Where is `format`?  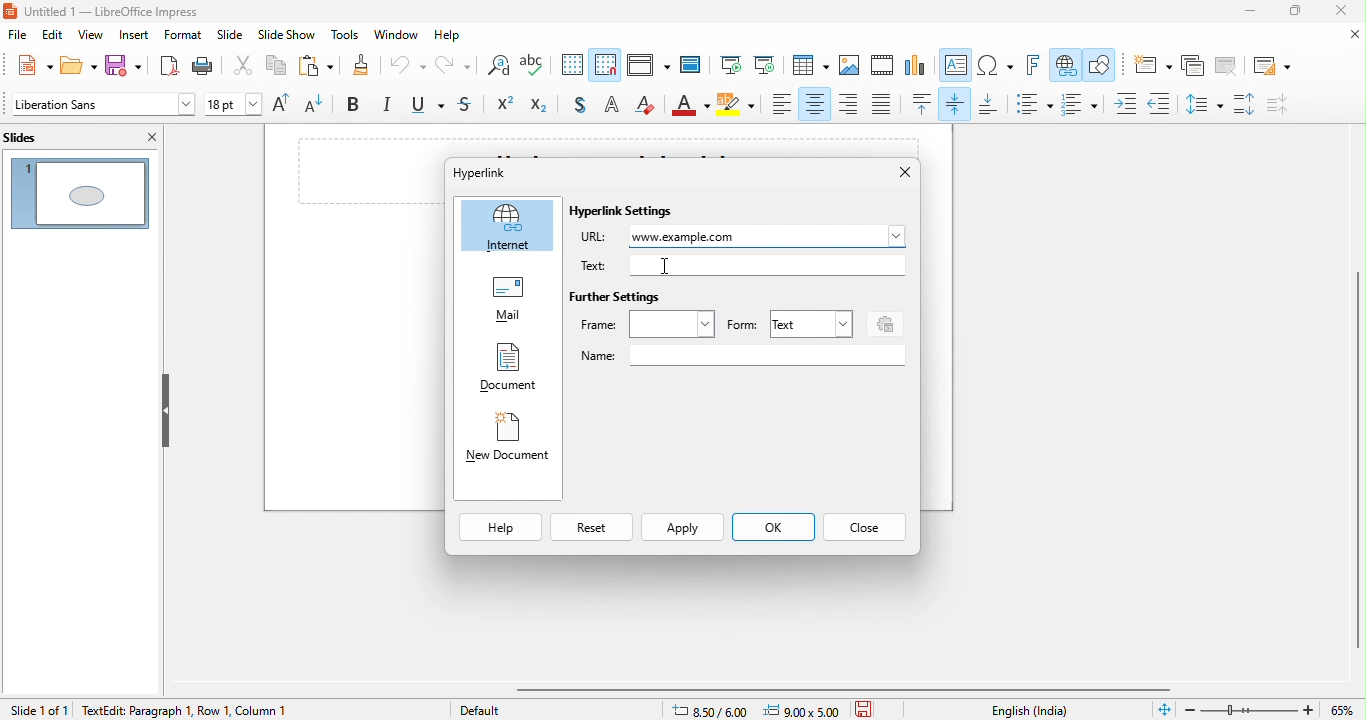 format is located at coordinates (183, 36).